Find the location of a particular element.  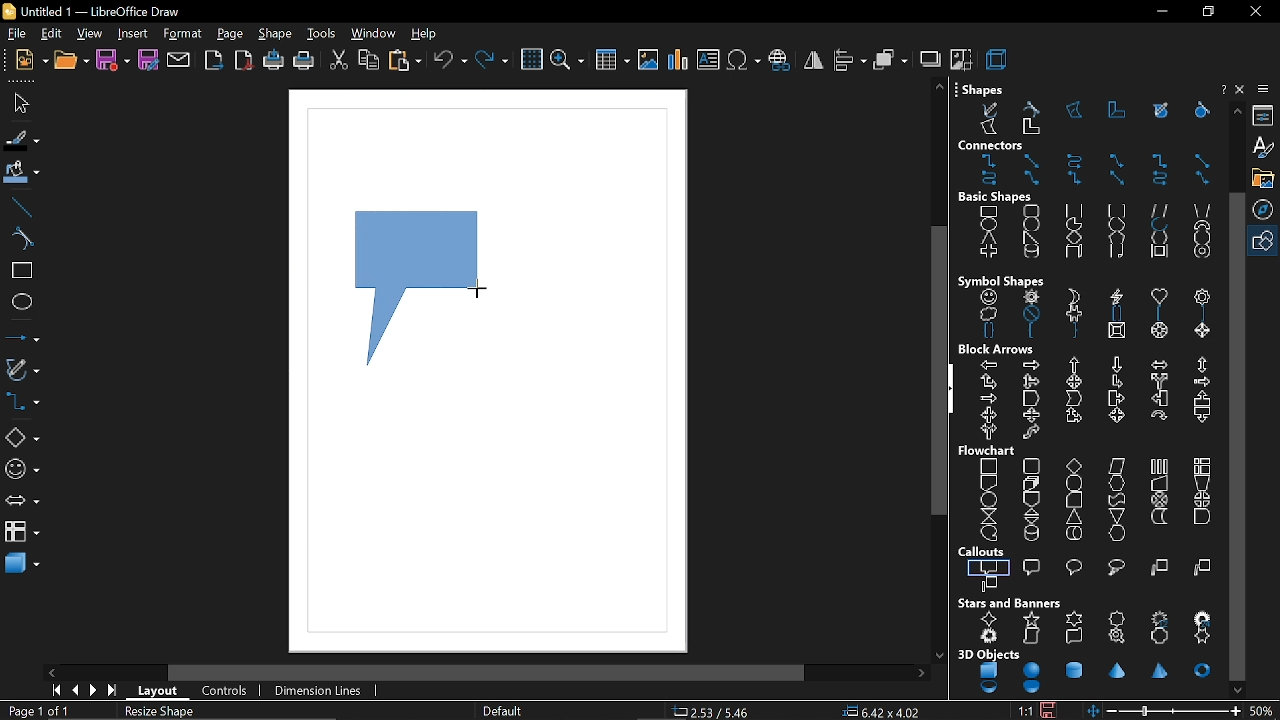

zoom is located at coordinates (568, 61).